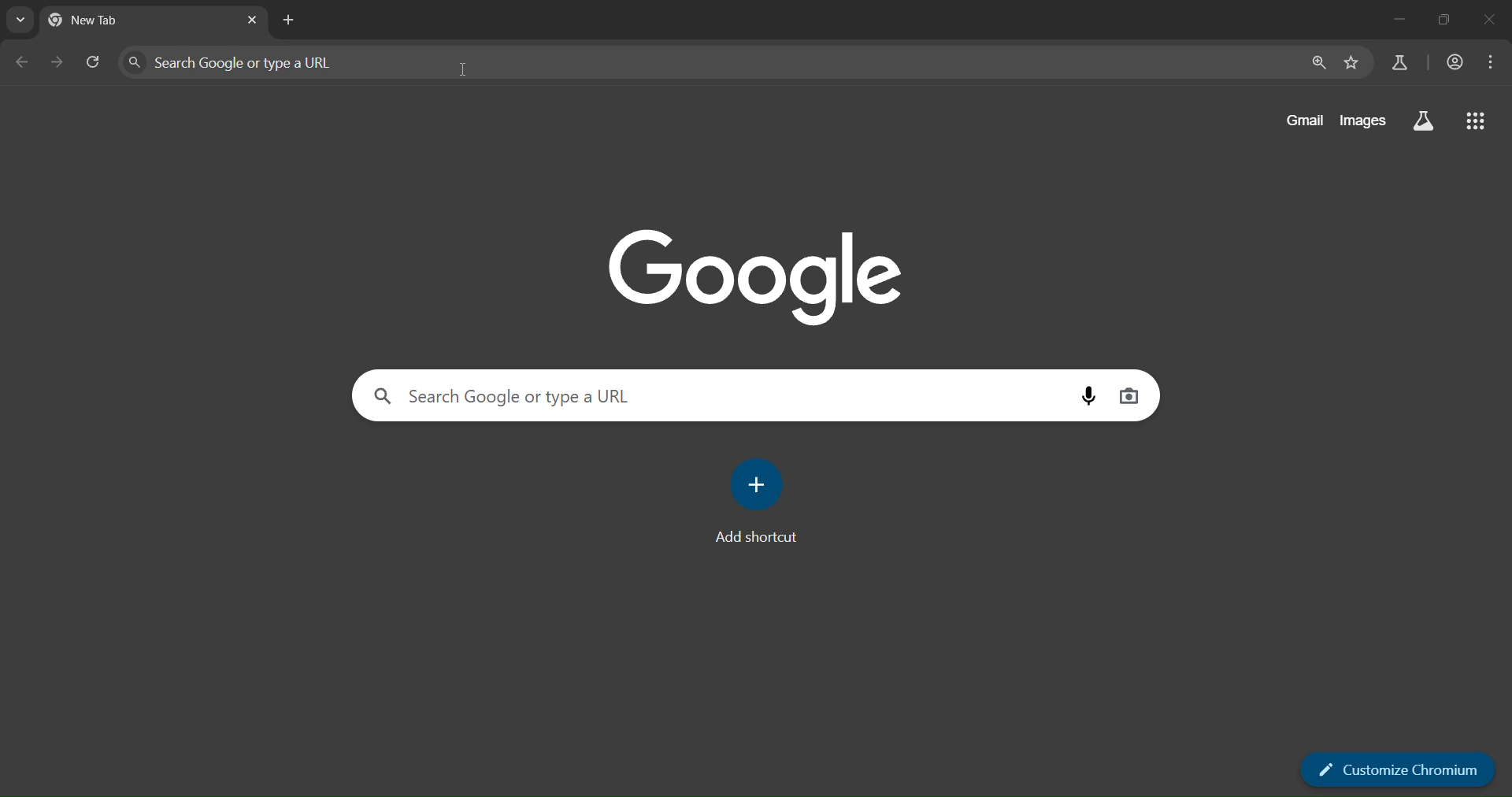 This screenshot has height=797, width=1512. Describe the element at coordinates (124, 20) in the screenshot. I see `current tab` at that location.